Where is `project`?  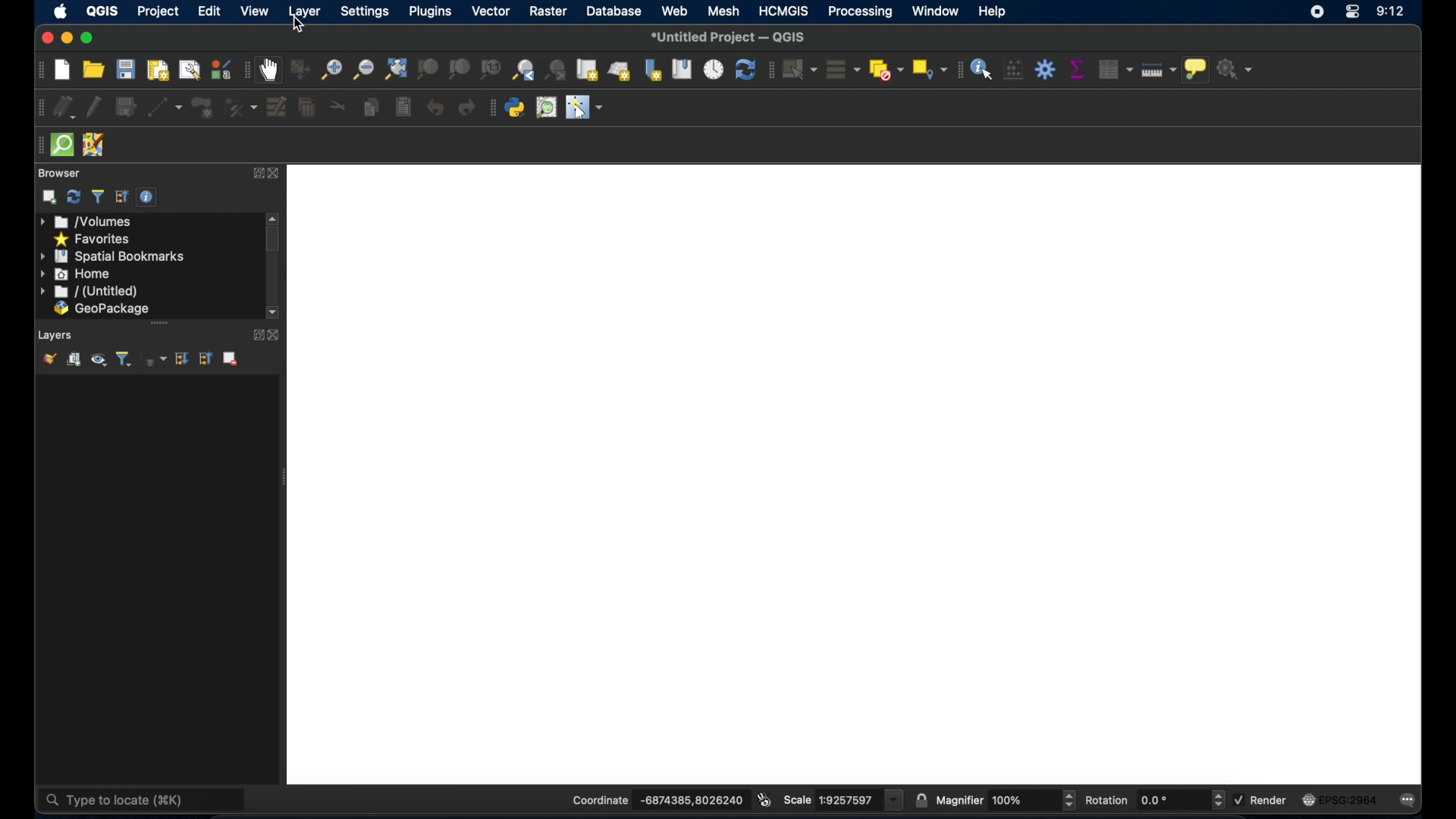
project is located at coordinates (158, 11).